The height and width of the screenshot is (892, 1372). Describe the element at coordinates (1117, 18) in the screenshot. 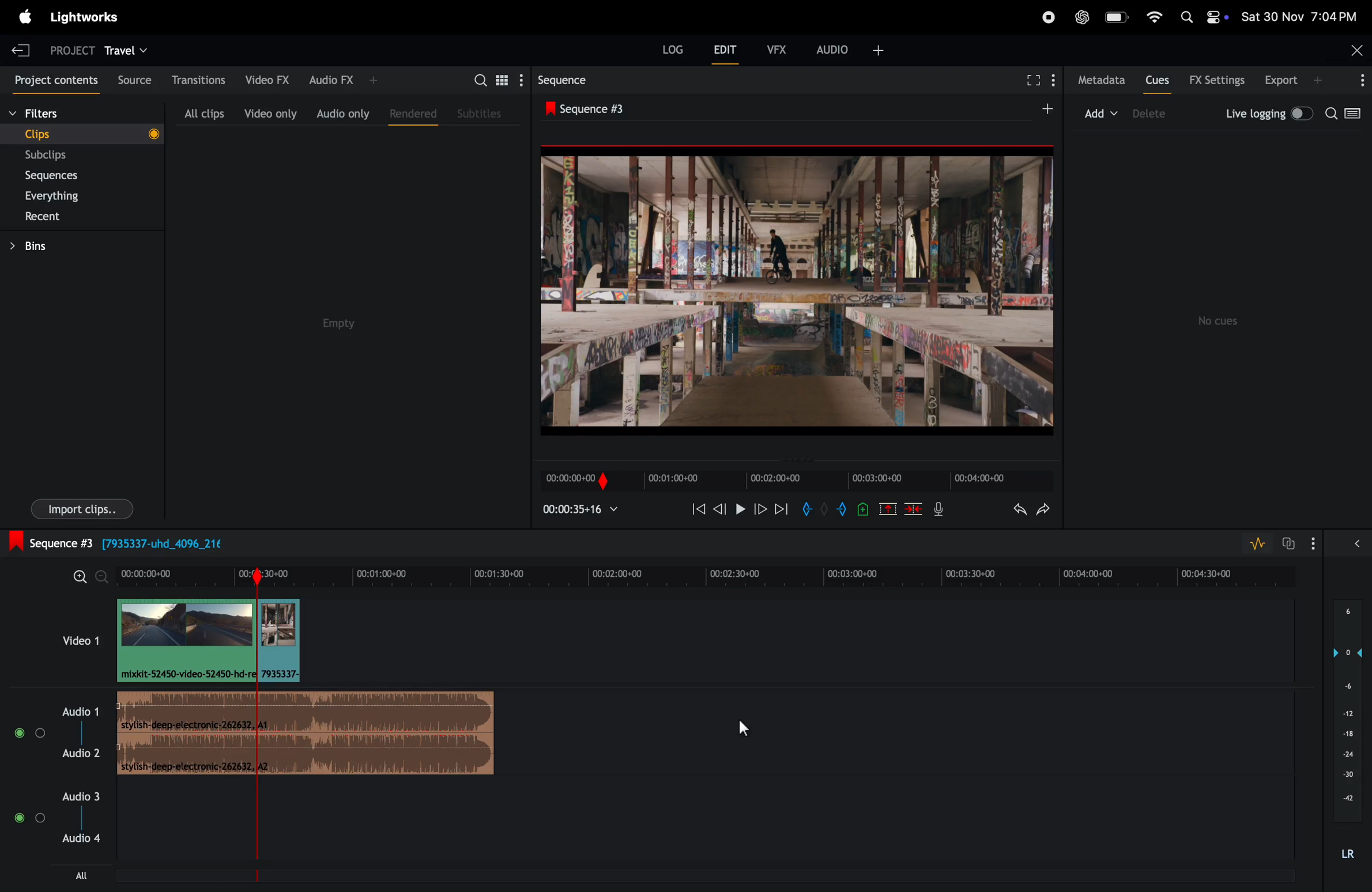

I see `battery` at that location.